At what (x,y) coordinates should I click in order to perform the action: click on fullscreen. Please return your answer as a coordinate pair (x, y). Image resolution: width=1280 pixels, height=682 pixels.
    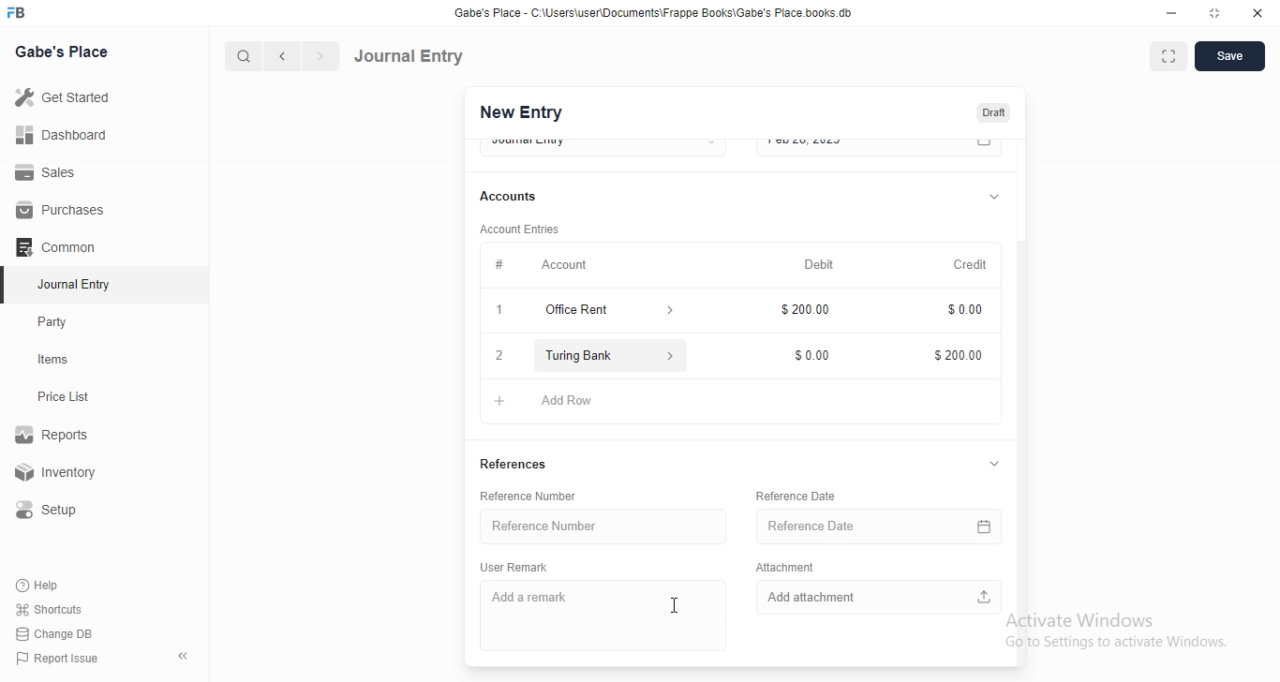
    Looking at the image, I should click on (1166, 57).